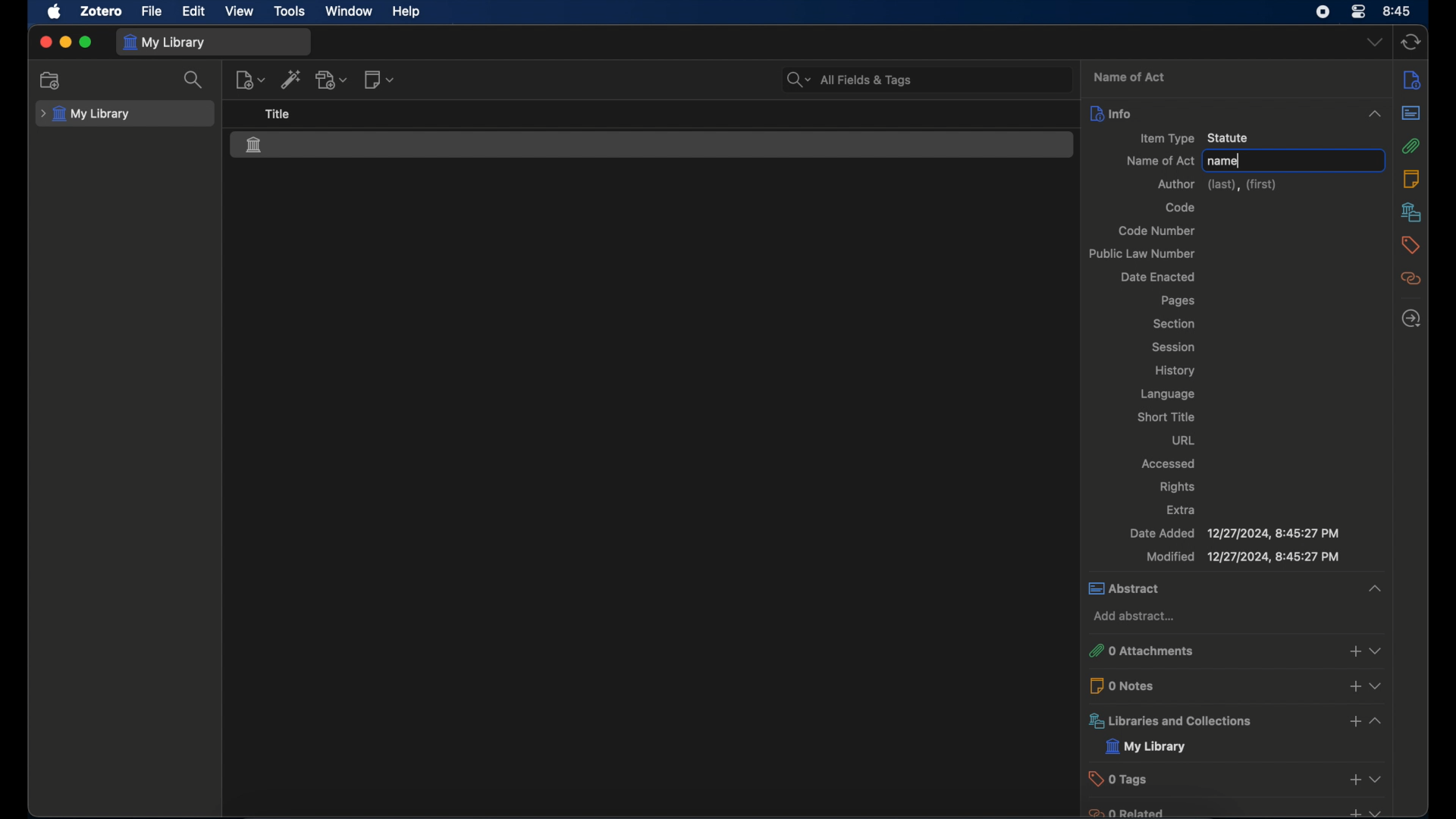  Describe the element at coordinates (1373, 779) in the screenshot. I see `dropdown` at that location.